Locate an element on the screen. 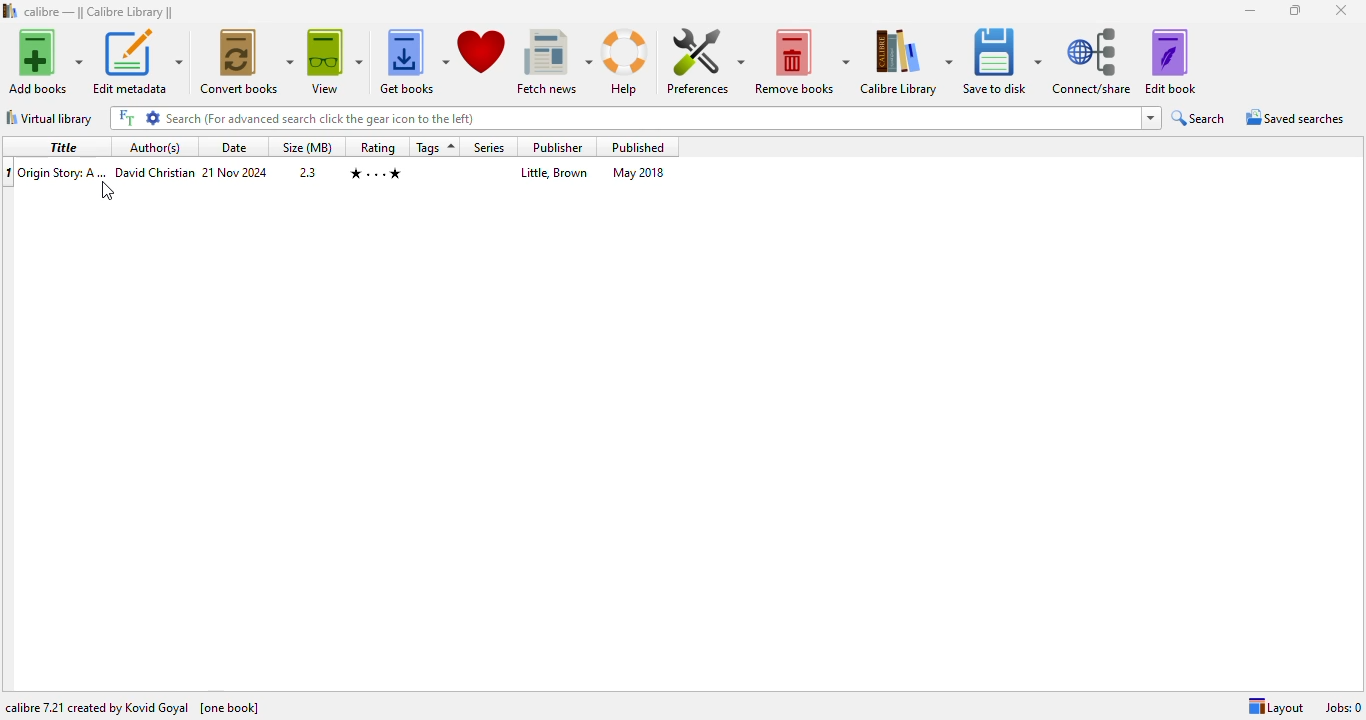  donate to support calibre is located at coordinates (482, 52).